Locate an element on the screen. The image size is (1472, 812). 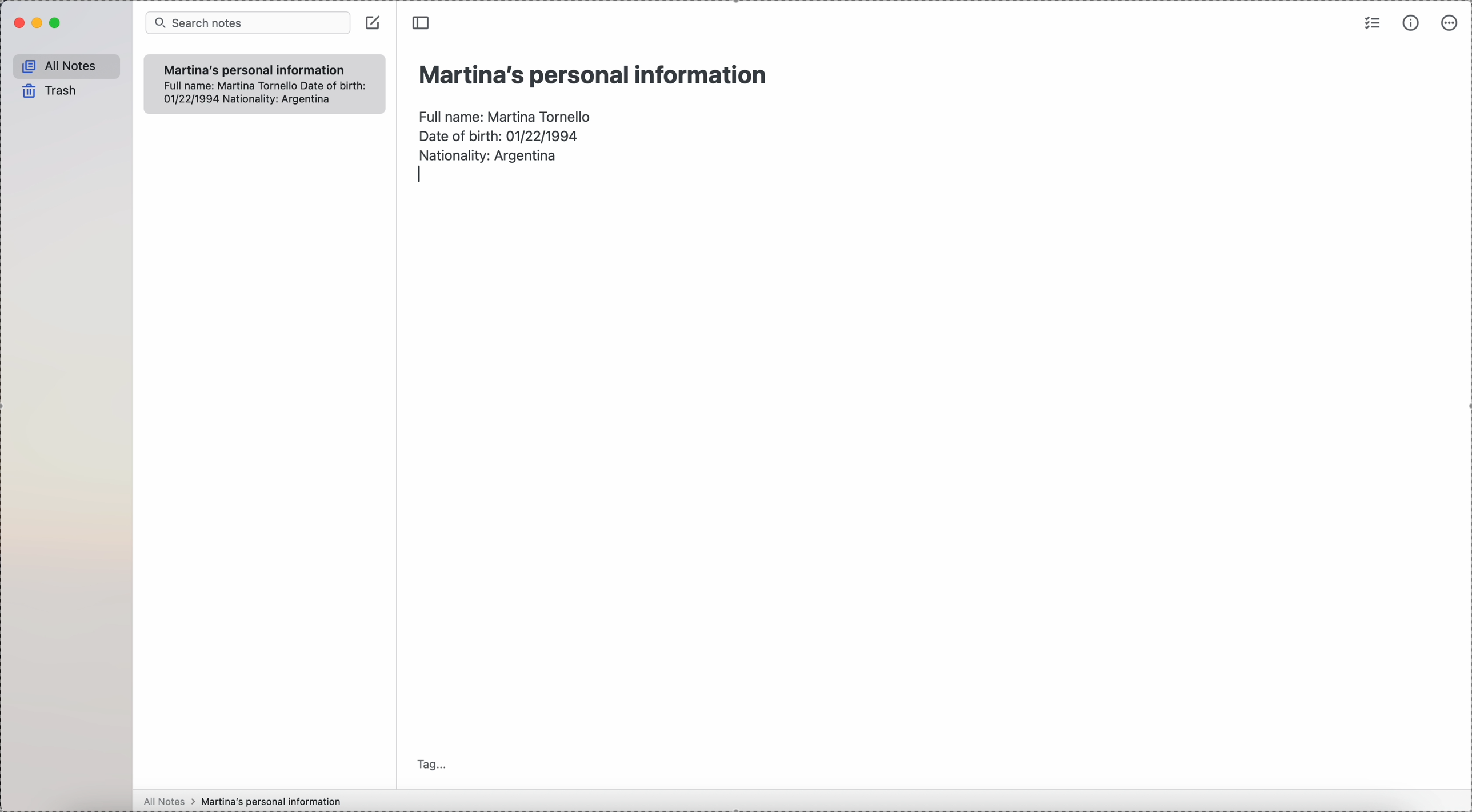
date of birth is located at coordinates (499, 134).